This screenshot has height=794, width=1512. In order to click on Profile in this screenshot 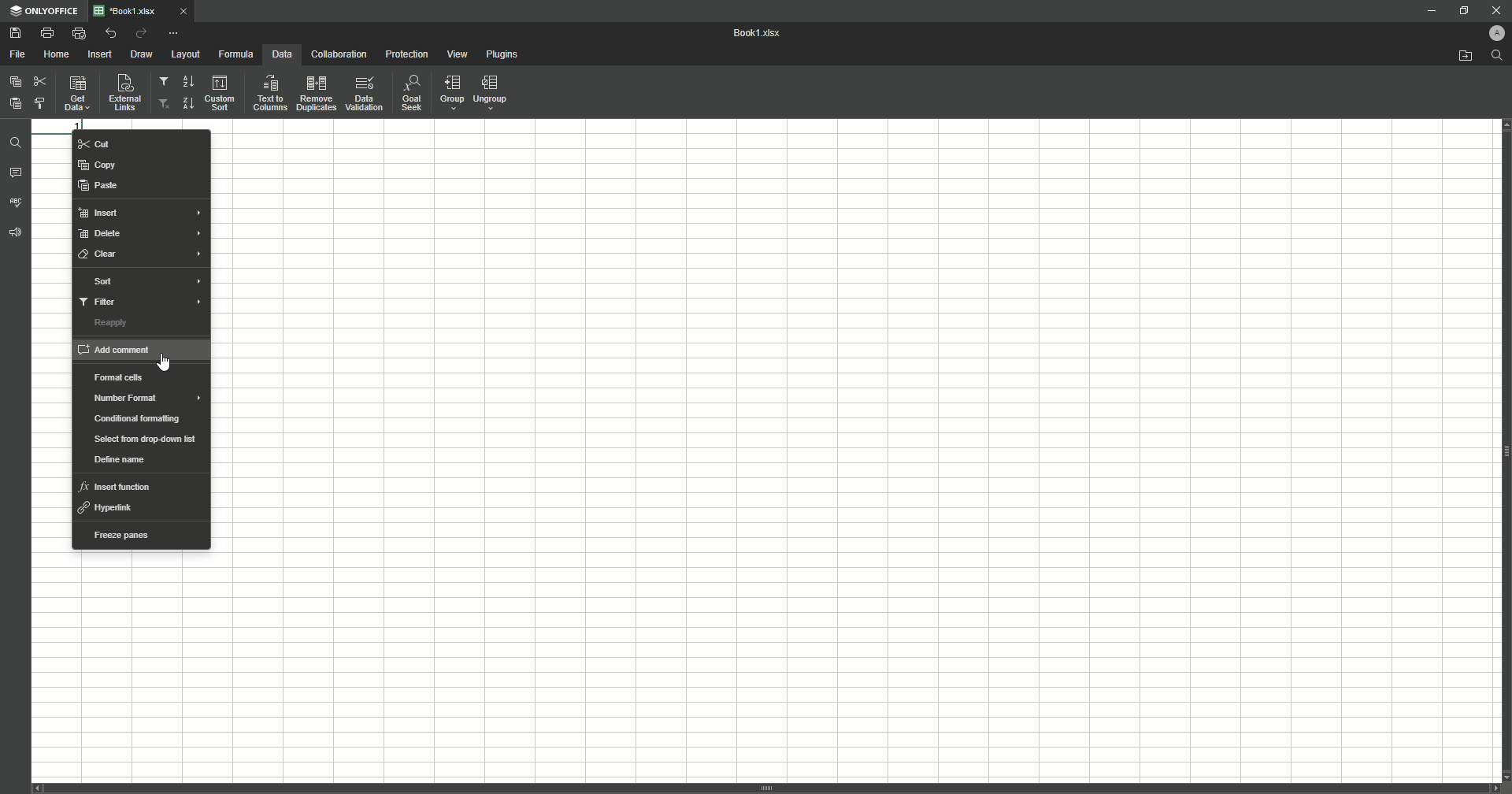, I will do `click(1491, 33)`.